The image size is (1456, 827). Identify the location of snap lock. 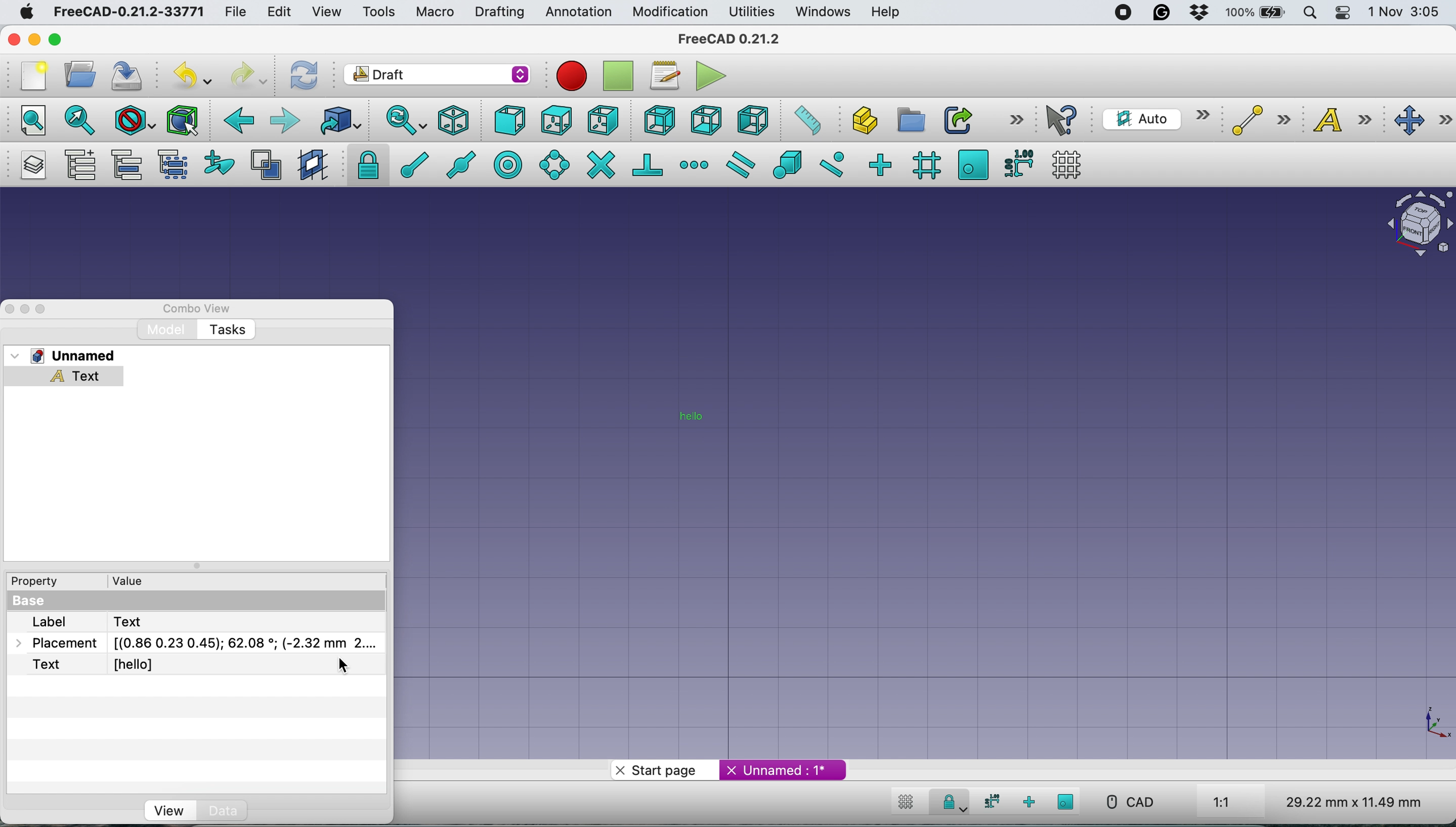
(949, 801).